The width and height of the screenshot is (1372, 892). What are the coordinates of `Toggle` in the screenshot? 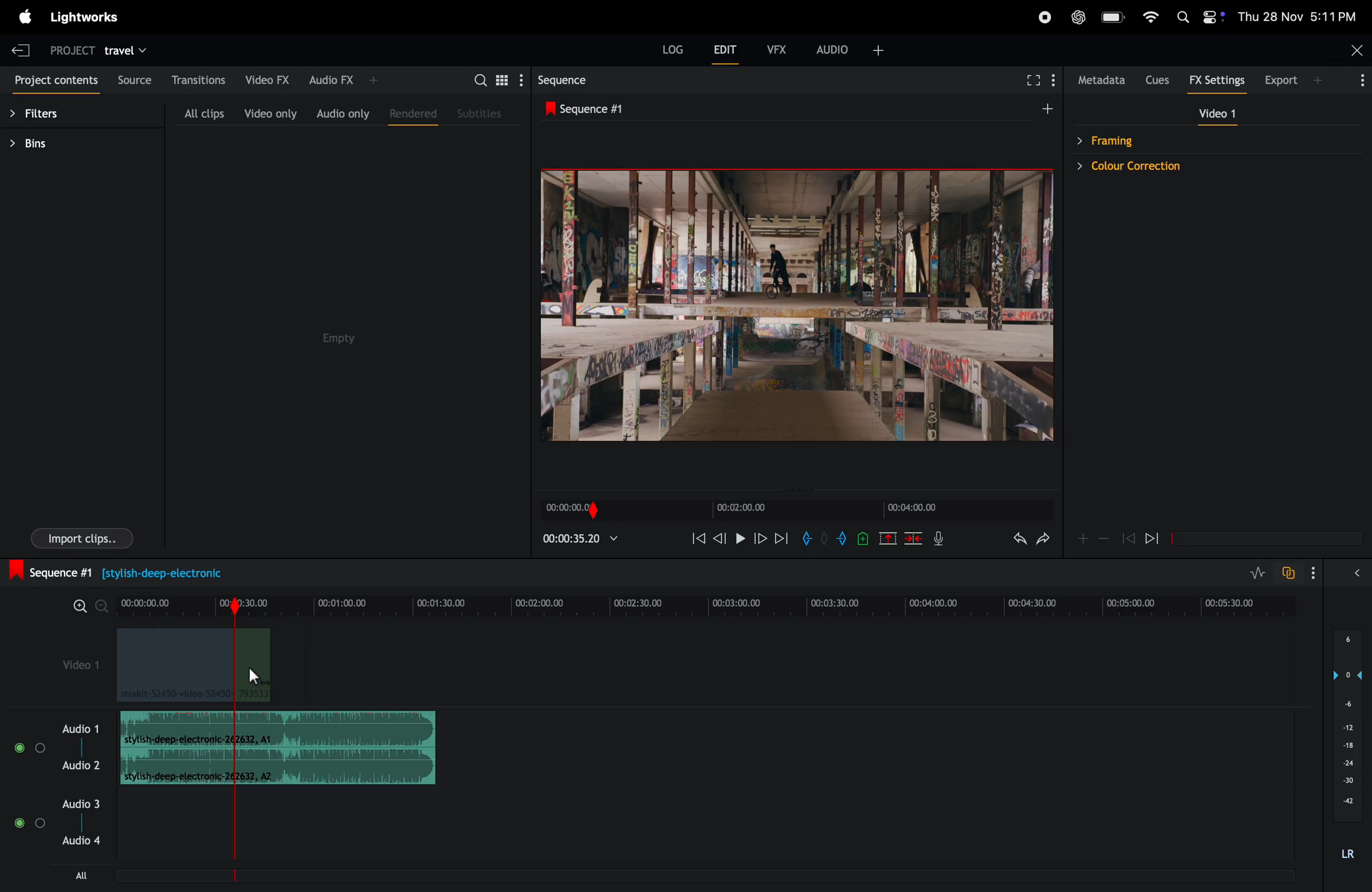 It's located at (17, 823).